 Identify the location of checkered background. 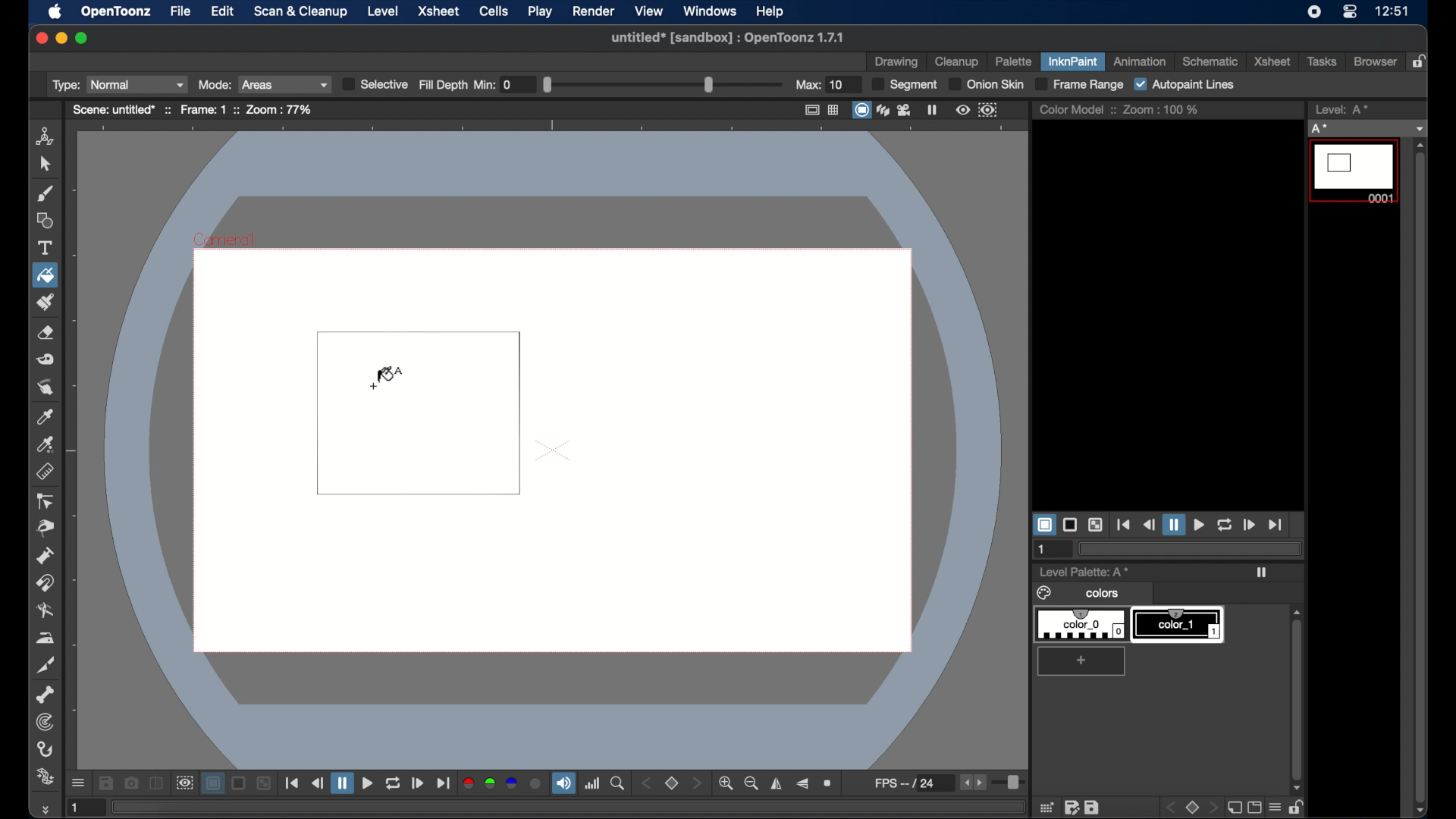
(1095, 526).